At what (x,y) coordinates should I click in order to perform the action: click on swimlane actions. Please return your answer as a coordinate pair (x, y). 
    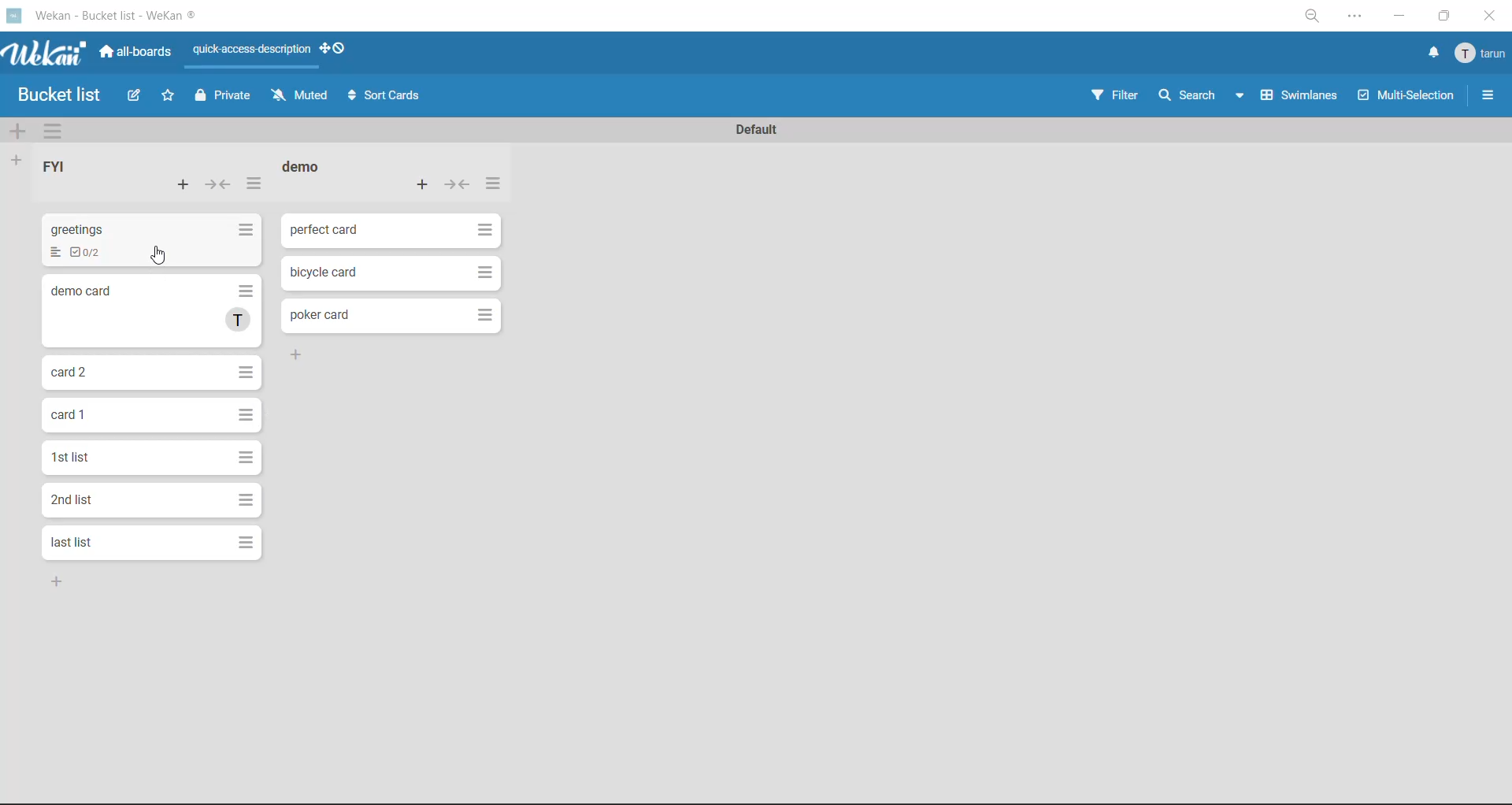
    Looking at the image, I should click on (53, 132).